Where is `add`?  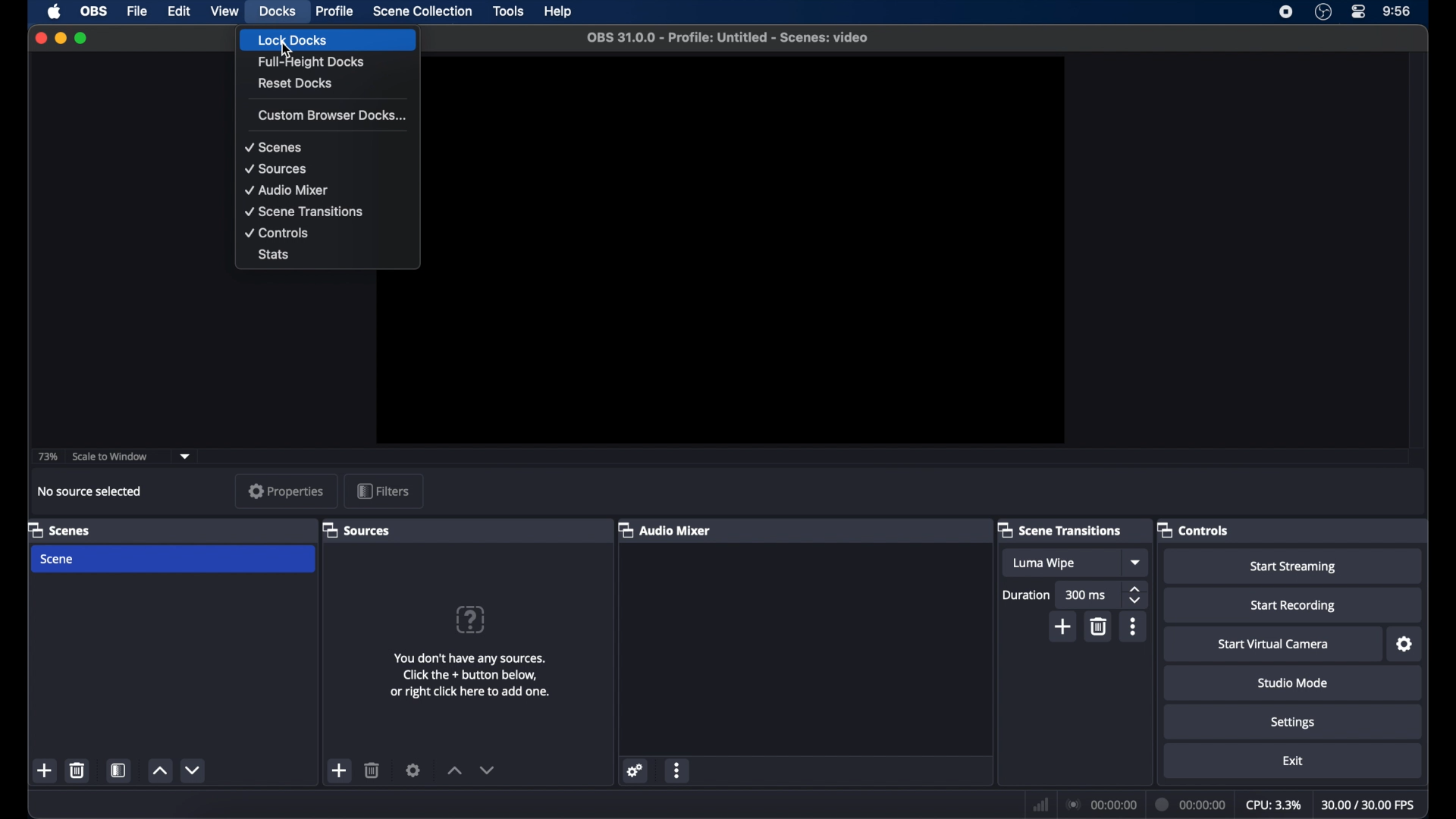 add is located at coordinates (46, 771).